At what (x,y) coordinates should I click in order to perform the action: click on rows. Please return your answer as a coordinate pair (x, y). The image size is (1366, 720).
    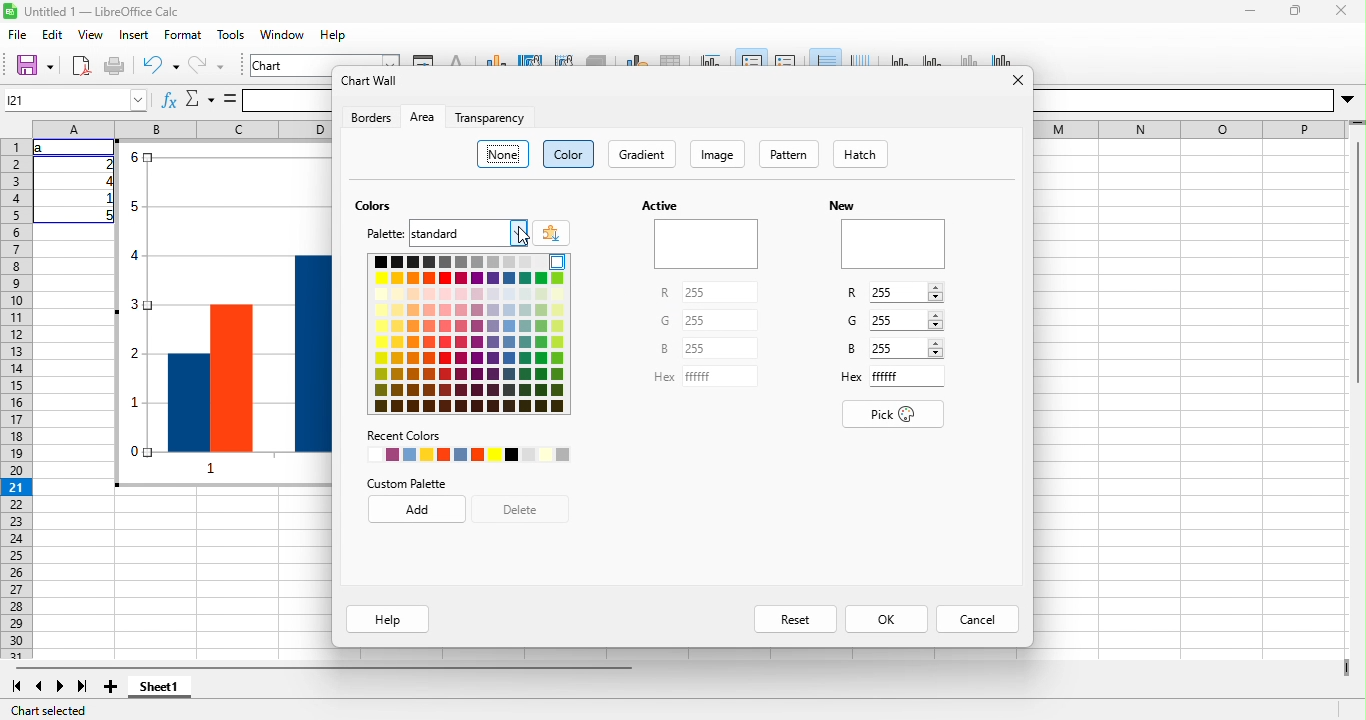
    Looking at the image, I should click on (17, 399).